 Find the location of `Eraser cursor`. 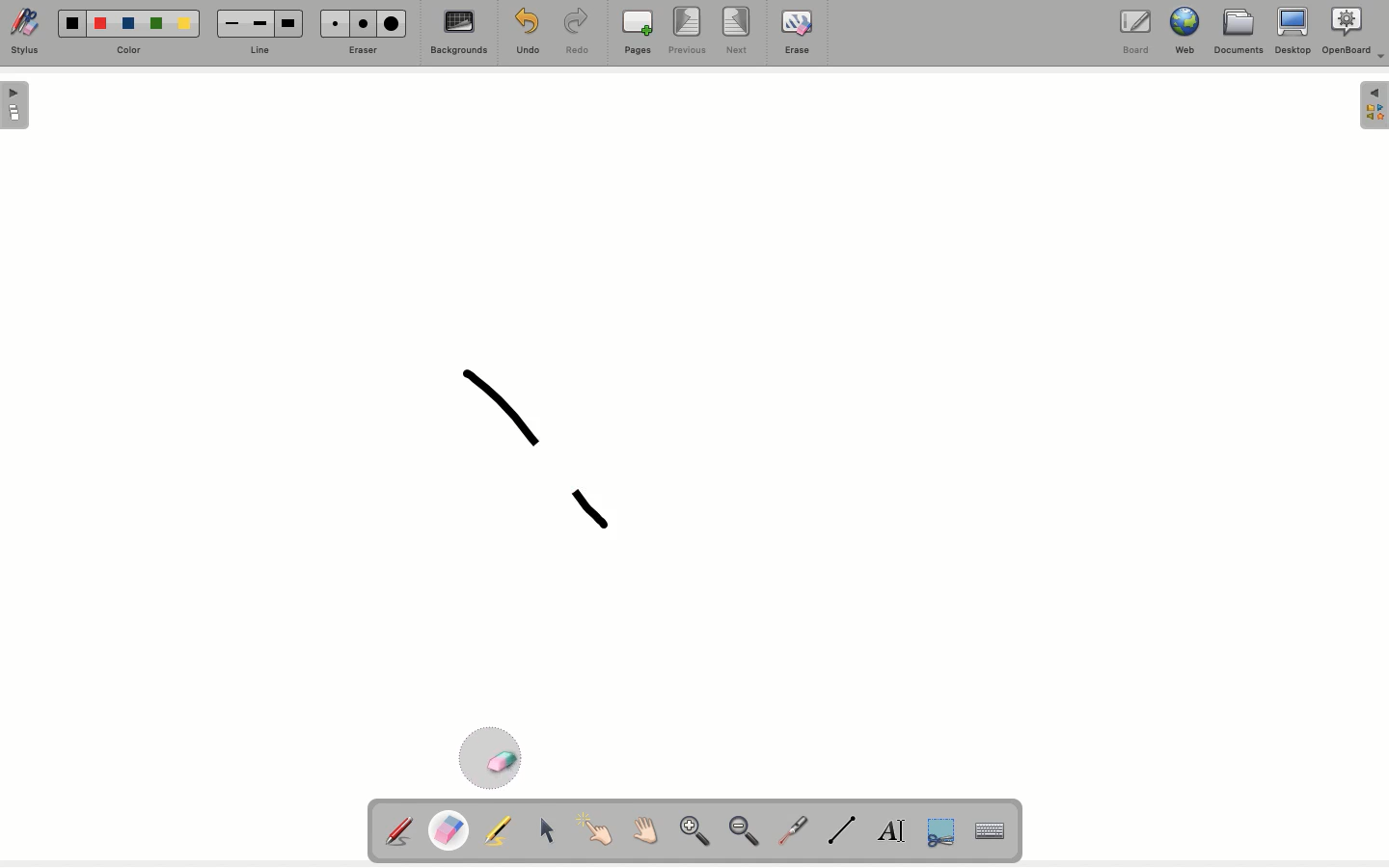

Eraser cursor is located at coordinates (492, 756).